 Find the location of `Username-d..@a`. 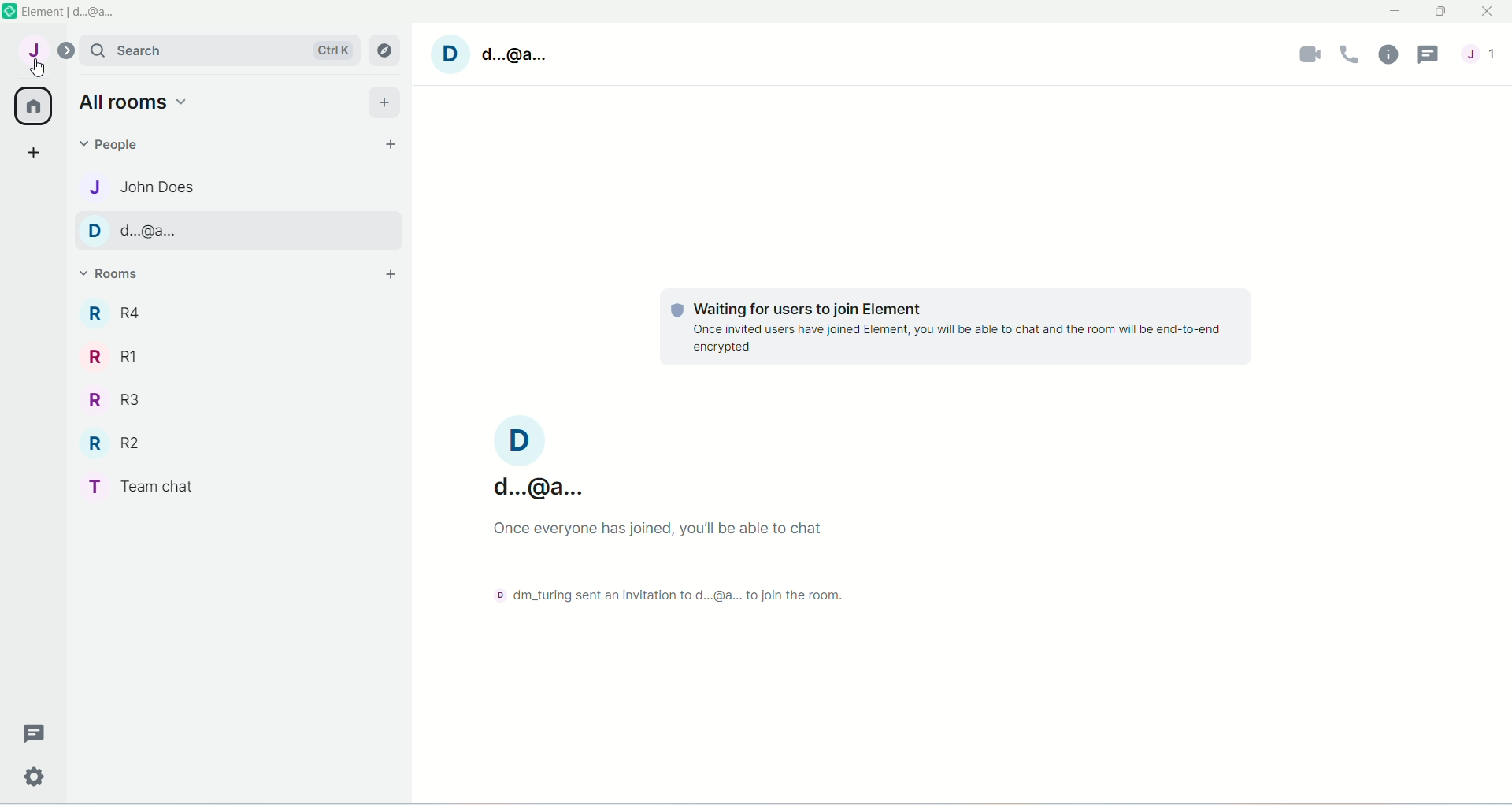

Username-d..@a is located at coordinates (539, 457).